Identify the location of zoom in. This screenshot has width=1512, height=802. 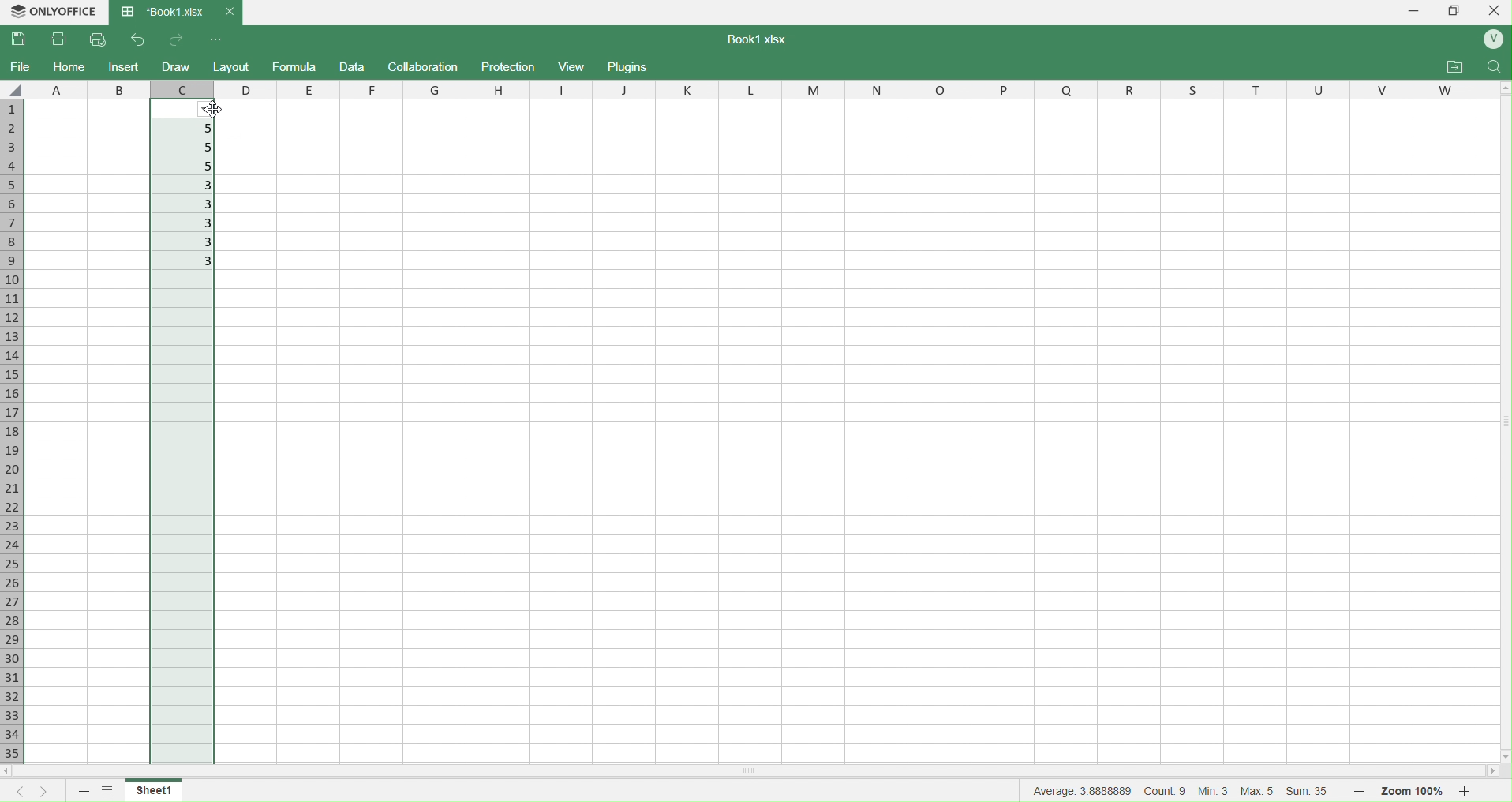
(1465, 791).